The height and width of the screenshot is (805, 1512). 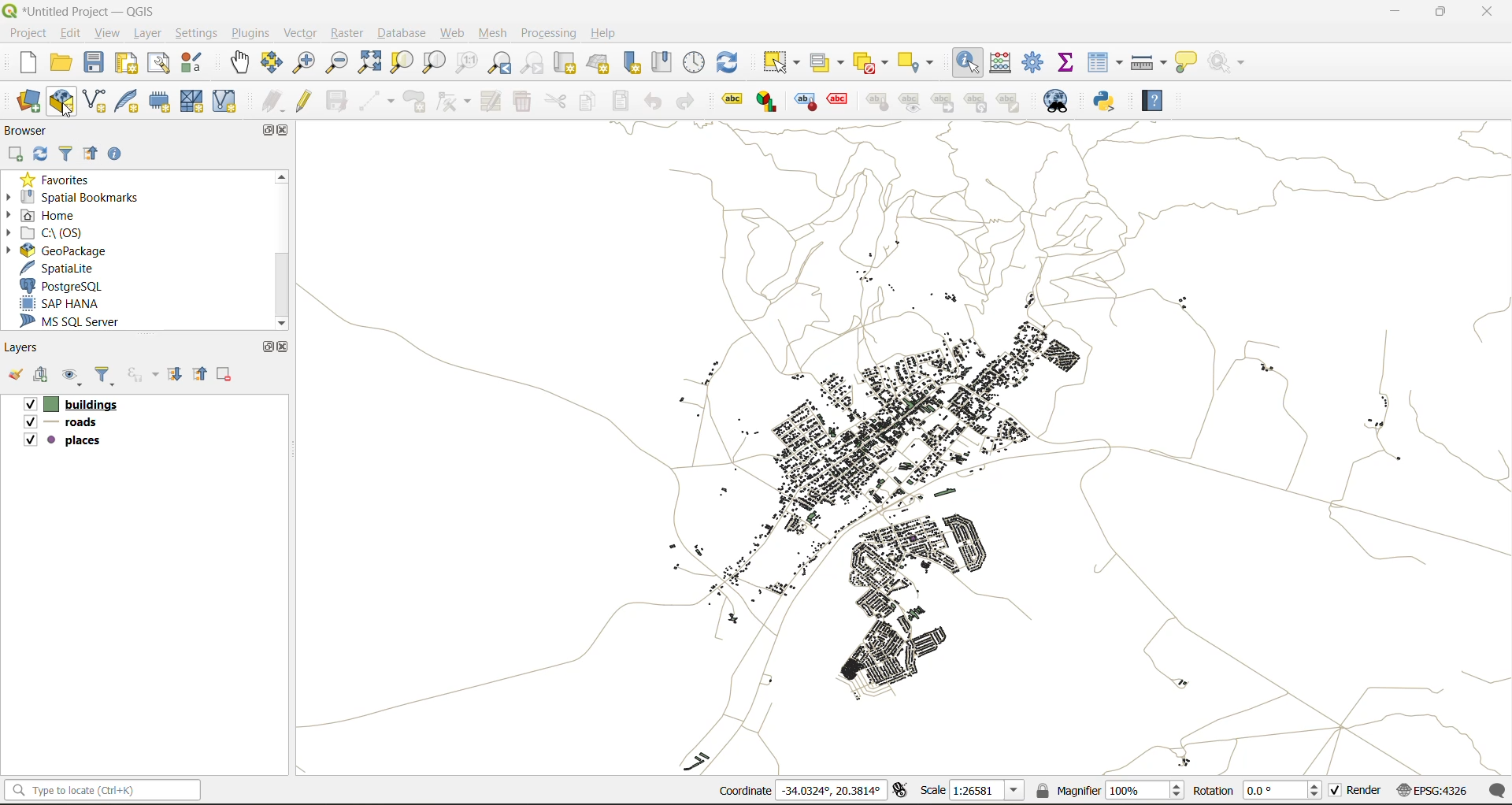 What do you see at coordinates (1017, 103) in the screenshot?
I see `note` at bounding box center [1017, 103].